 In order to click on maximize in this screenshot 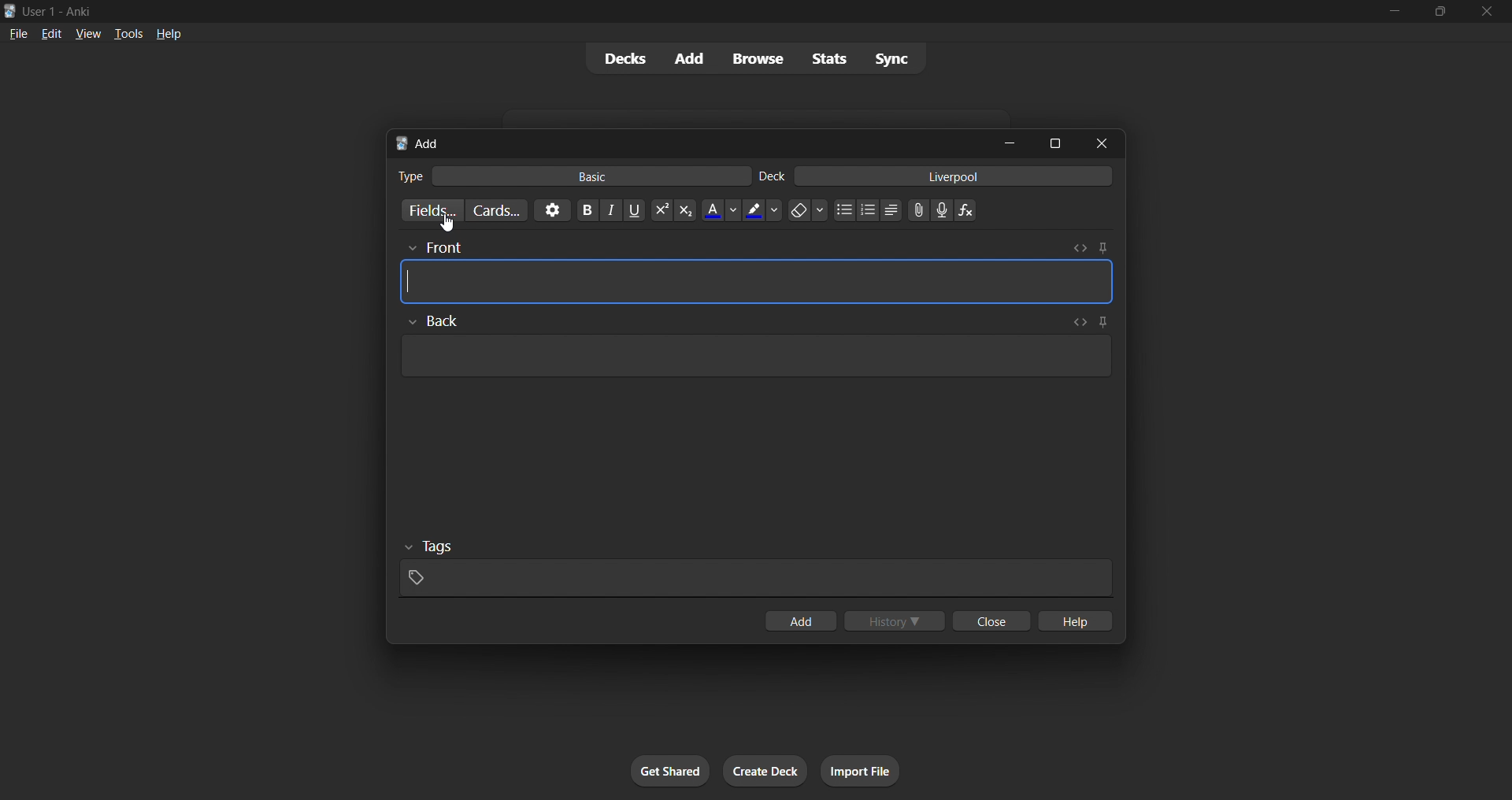, I will do `click(1054, 143)`.